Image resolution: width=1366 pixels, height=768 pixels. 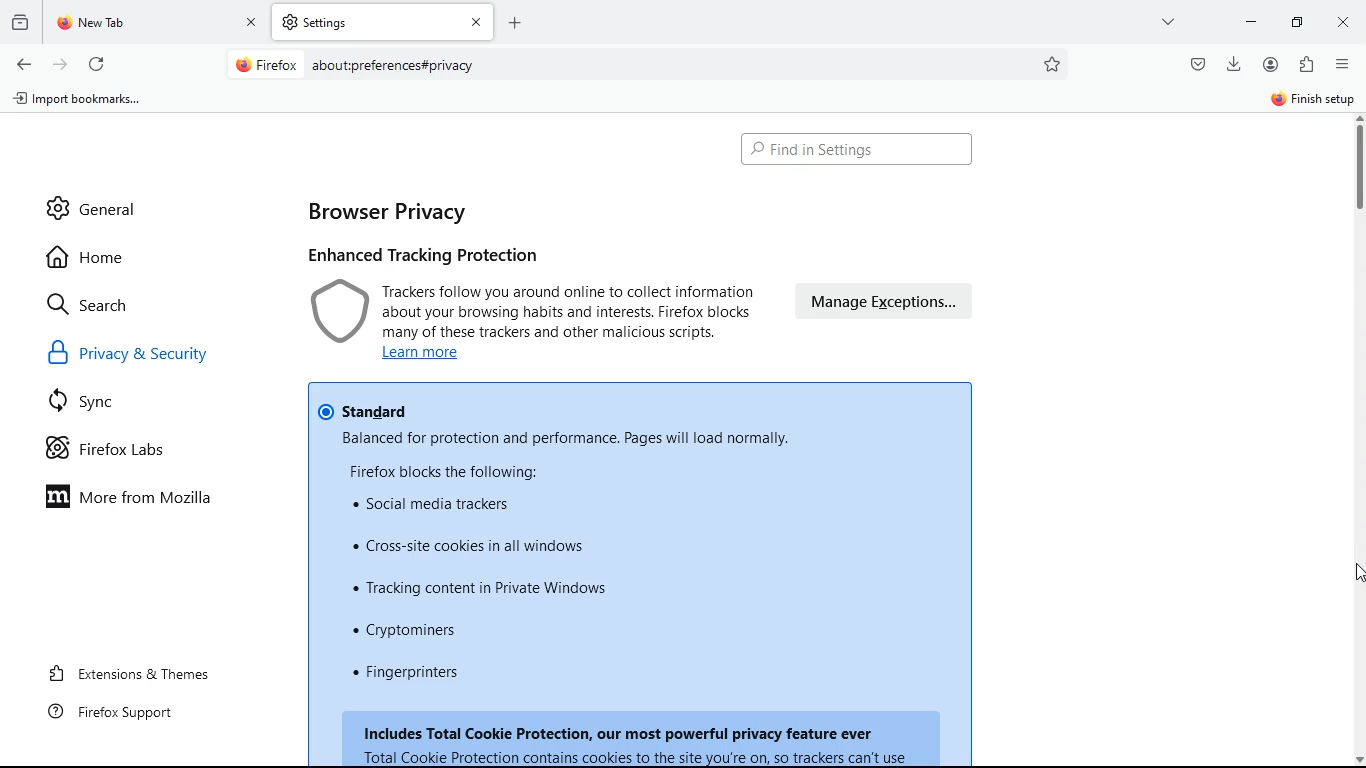 I want to click on social media trackers, so click(x=431, y=504).